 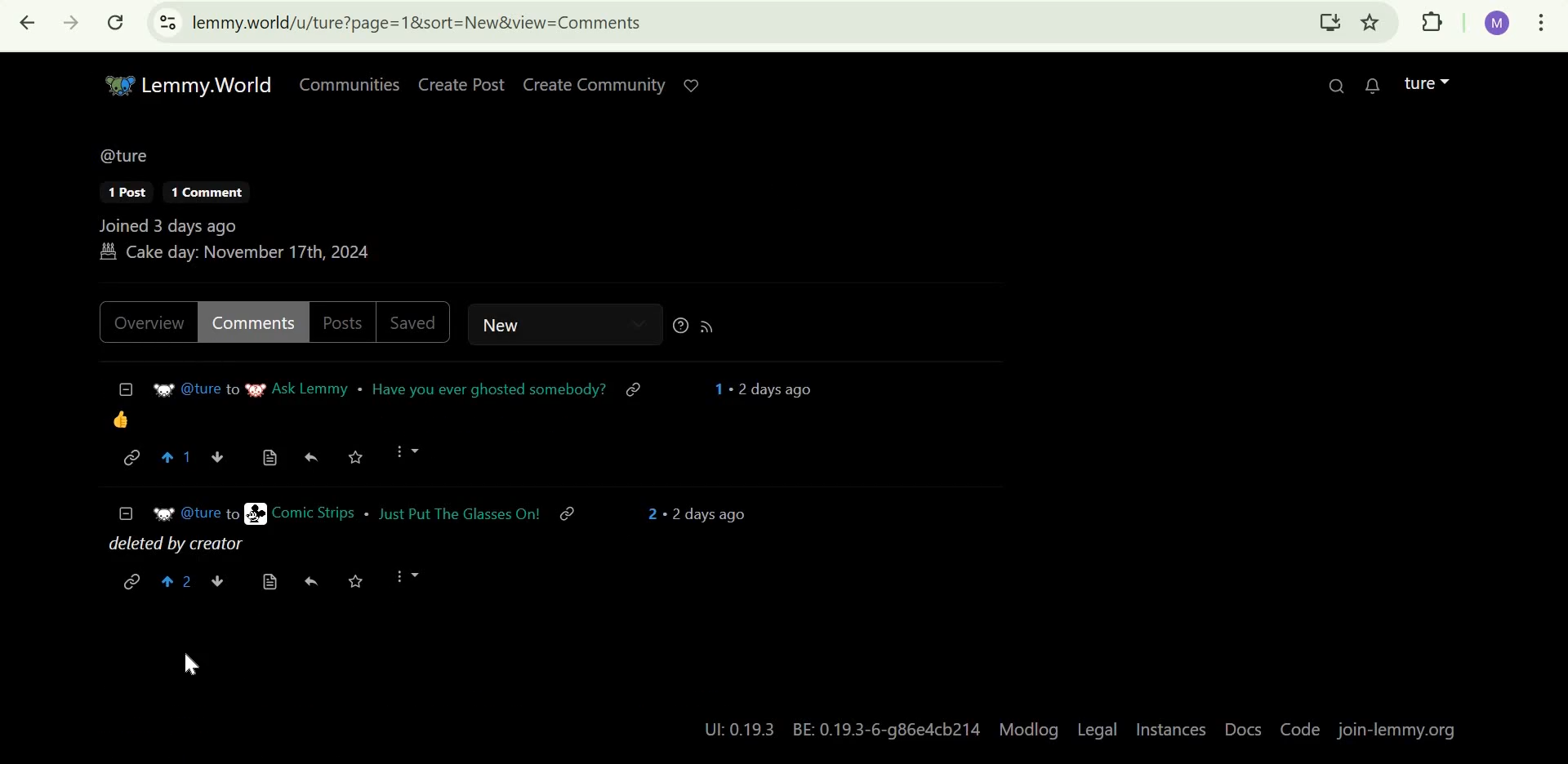 I want to click on reply, so click(x=310, y=580).